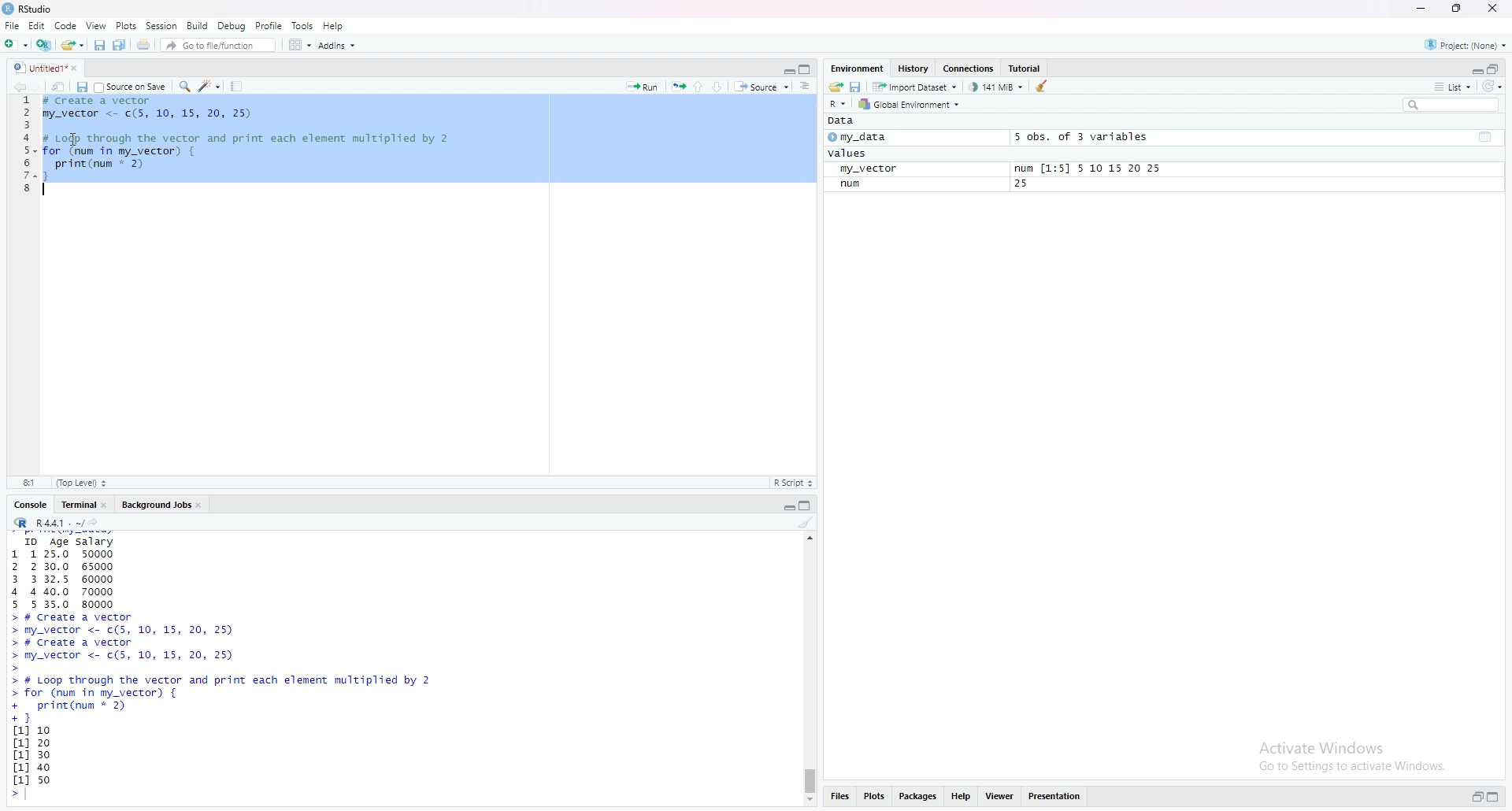  I want to click on Global Environment , so click(913, 104).